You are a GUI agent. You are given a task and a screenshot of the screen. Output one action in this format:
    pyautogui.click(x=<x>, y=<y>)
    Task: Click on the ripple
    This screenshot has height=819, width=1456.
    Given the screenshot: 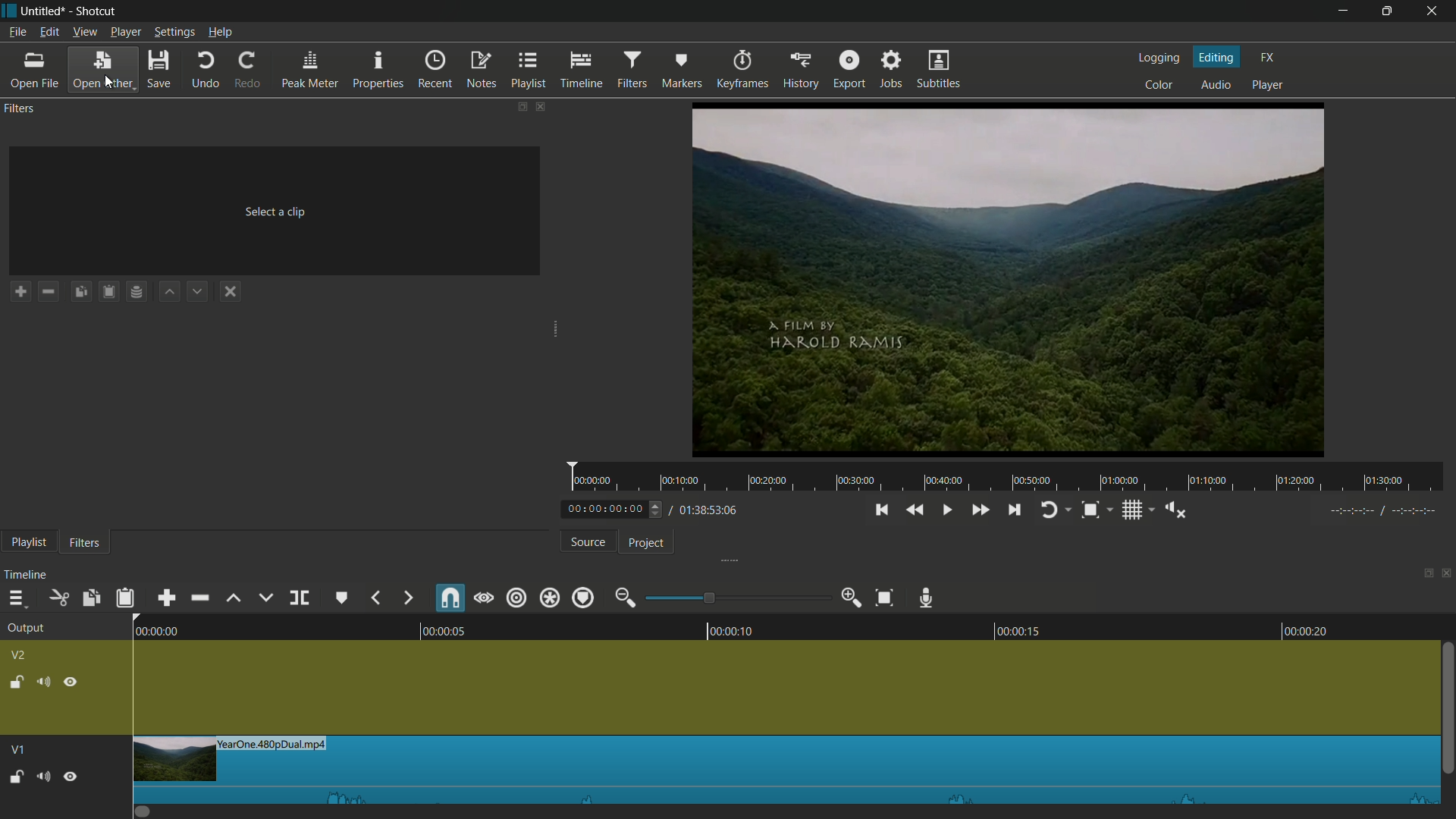 What is the action you would take?
    pyautogui.click(x=518, y=598)
    